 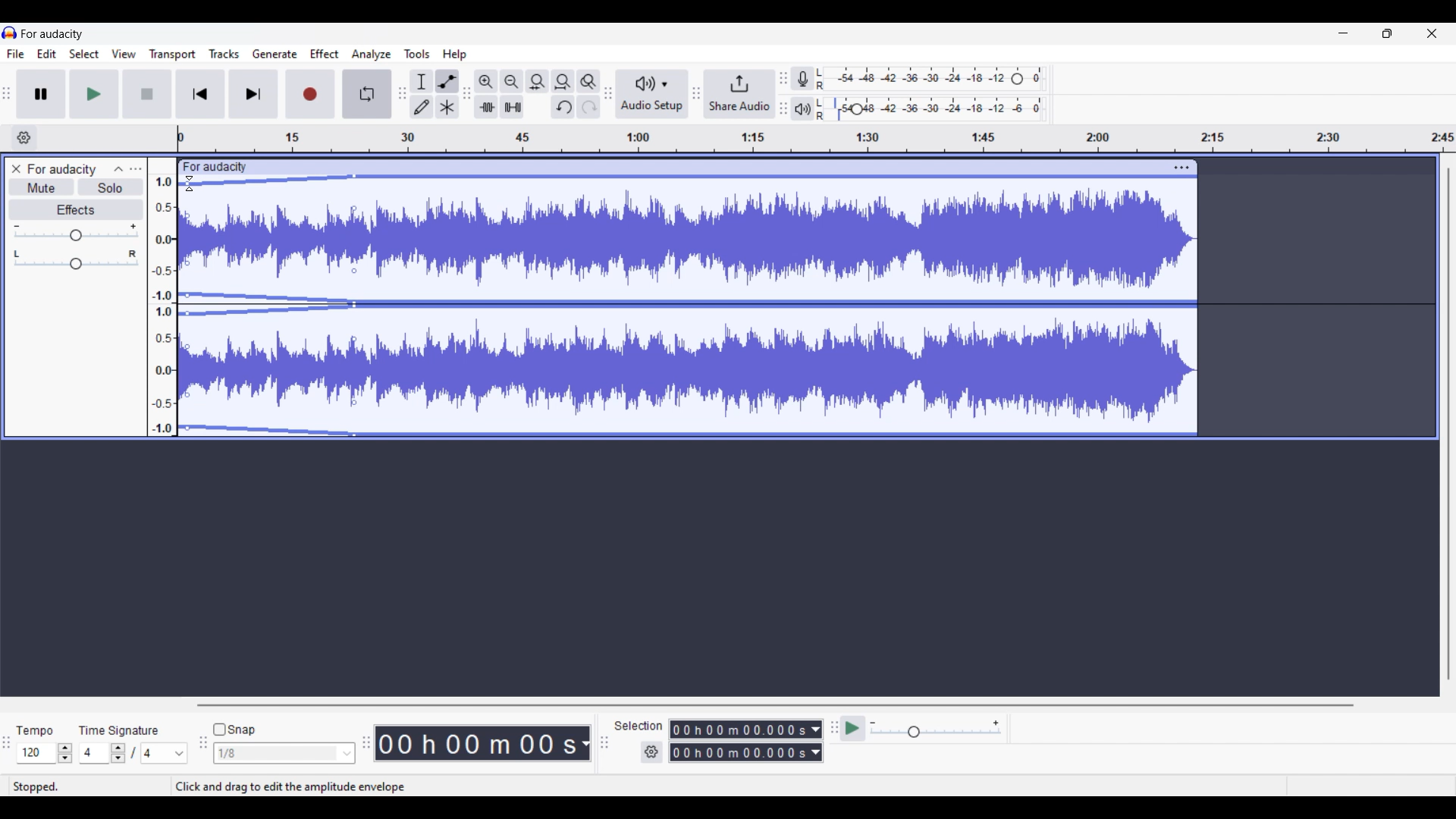 I want to click on Horizontal slide bar, so click(x=774, y=705).